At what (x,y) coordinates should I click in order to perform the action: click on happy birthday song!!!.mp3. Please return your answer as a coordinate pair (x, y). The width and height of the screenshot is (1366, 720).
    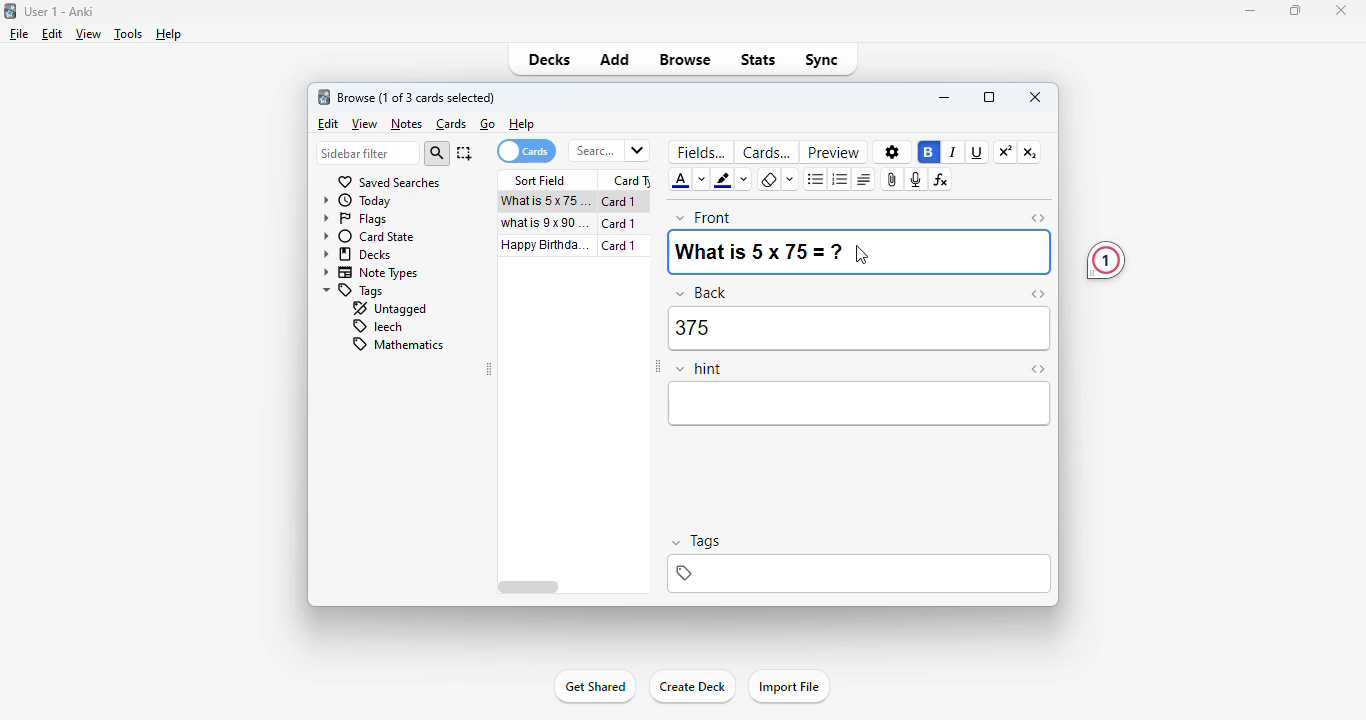
    Looking at the image, I should click on (544, 245).